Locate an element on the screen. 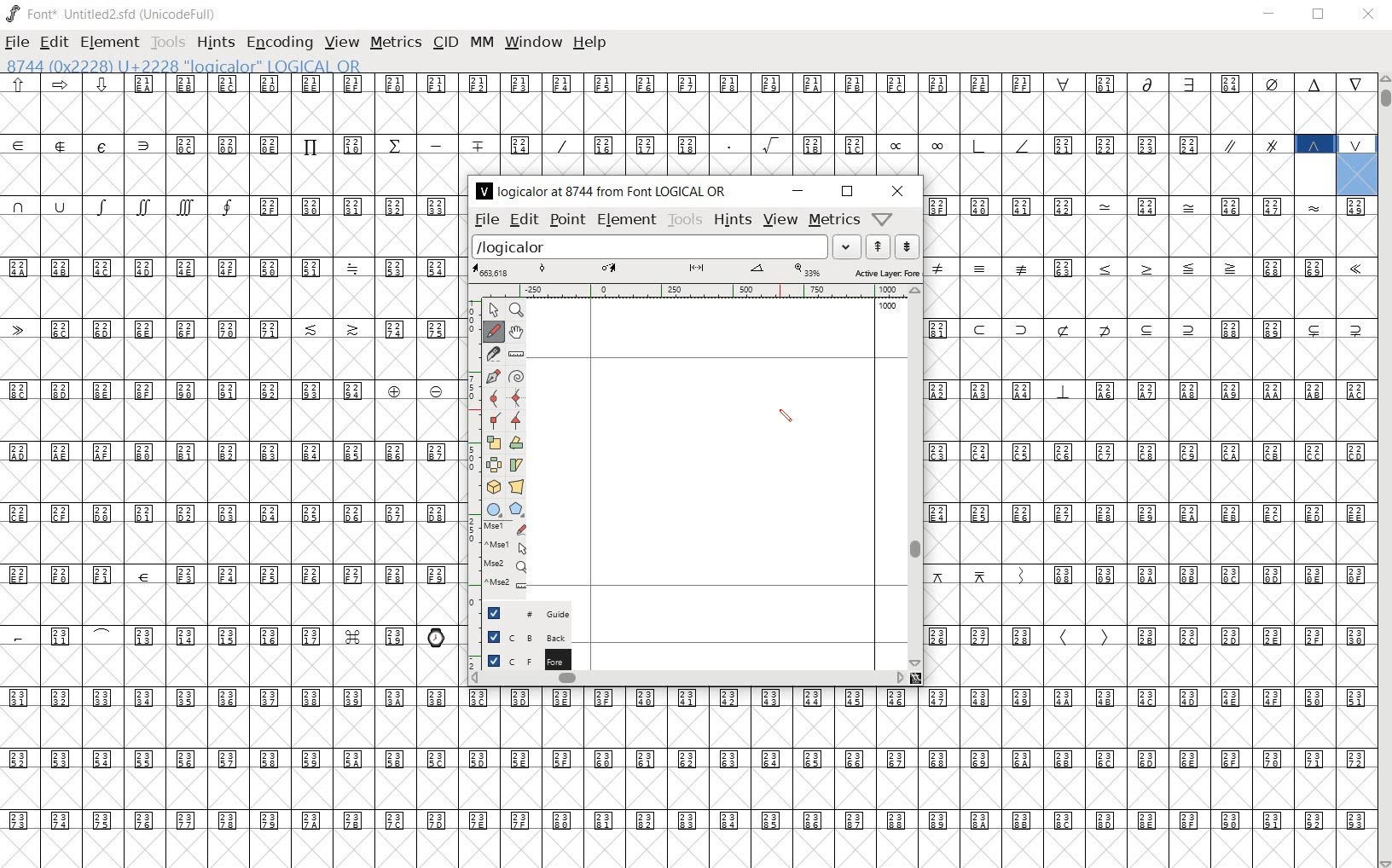  help is located at coordinates (591, 42).